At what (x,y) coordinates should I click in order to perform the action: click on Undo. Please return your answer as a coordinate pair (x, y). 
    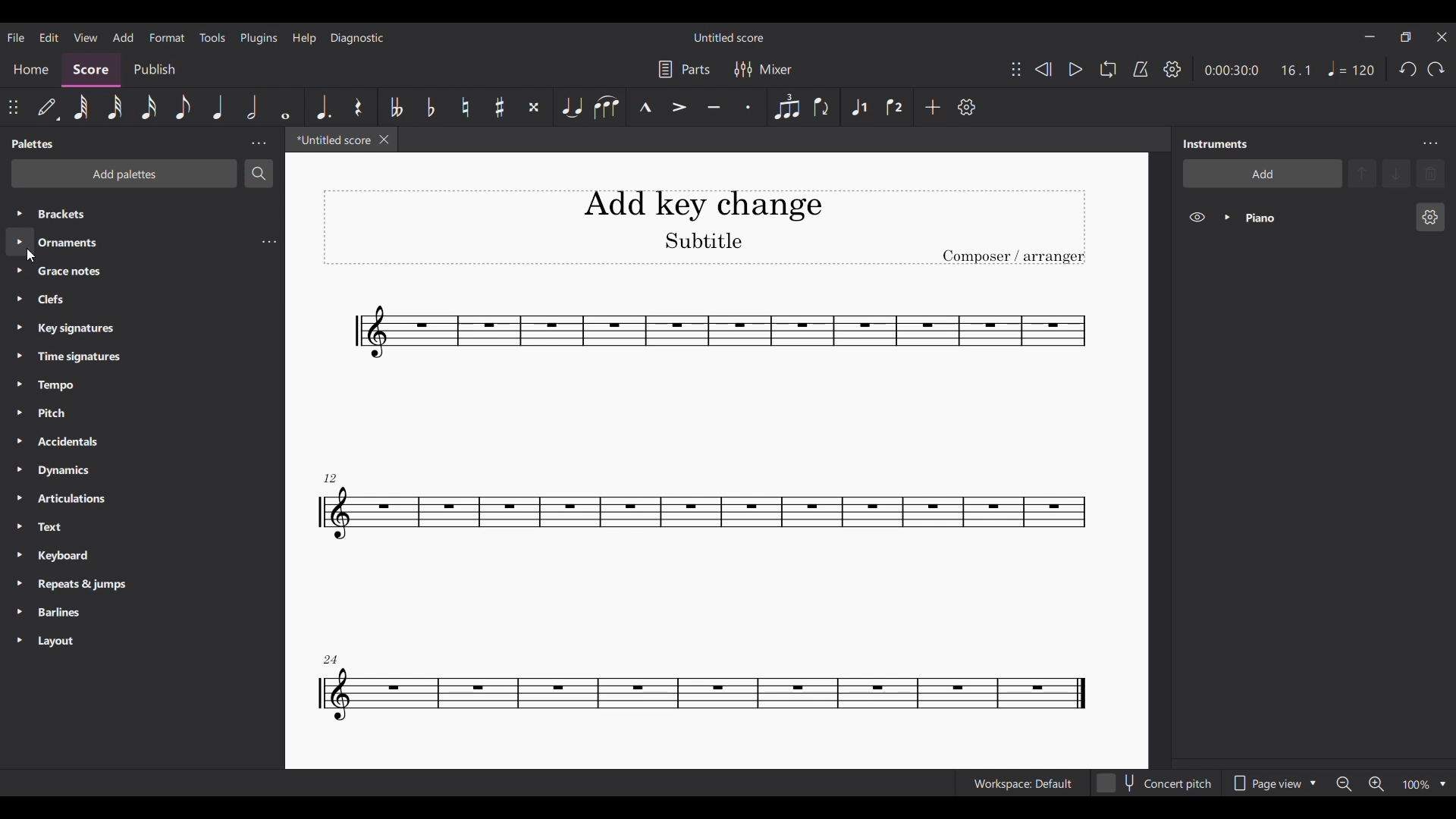
    Looking at the image, I should click on (1408, 70).